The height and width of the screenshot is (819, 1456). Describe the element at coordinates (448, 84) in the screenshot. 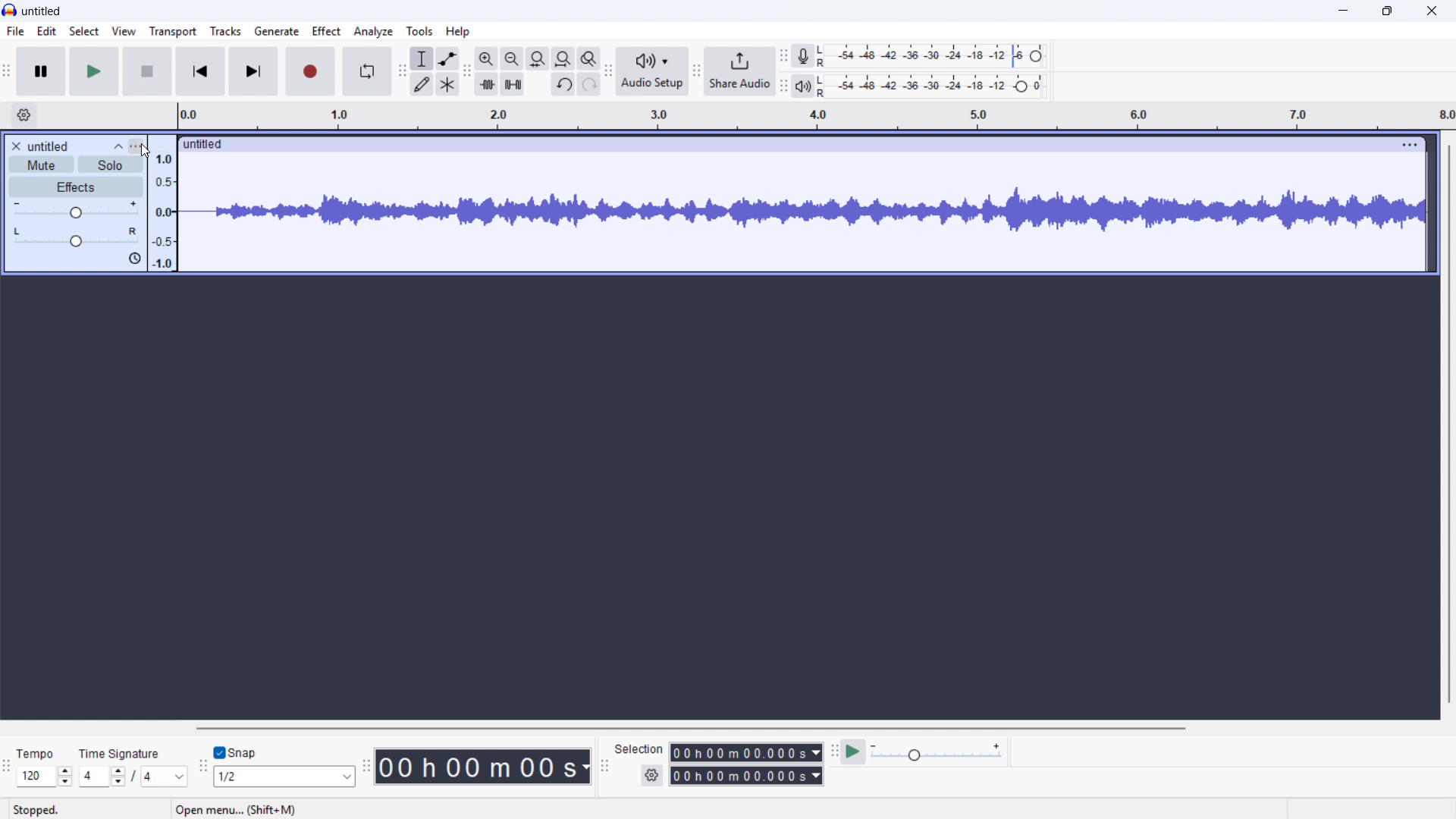

I see `Multi - tool ` at that location.